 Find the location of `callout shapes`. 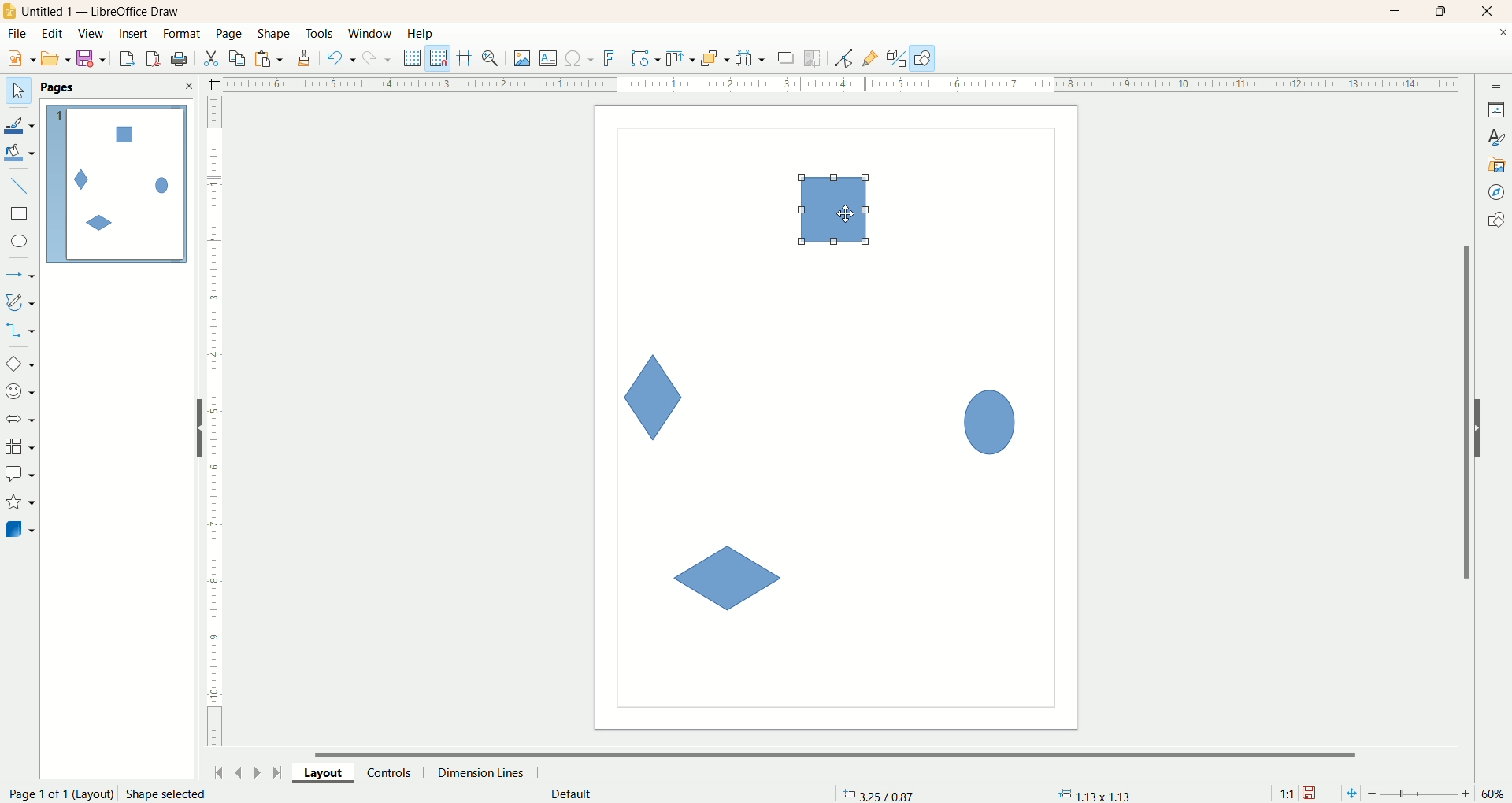

callout shapes is located at coordinates (20, 475).